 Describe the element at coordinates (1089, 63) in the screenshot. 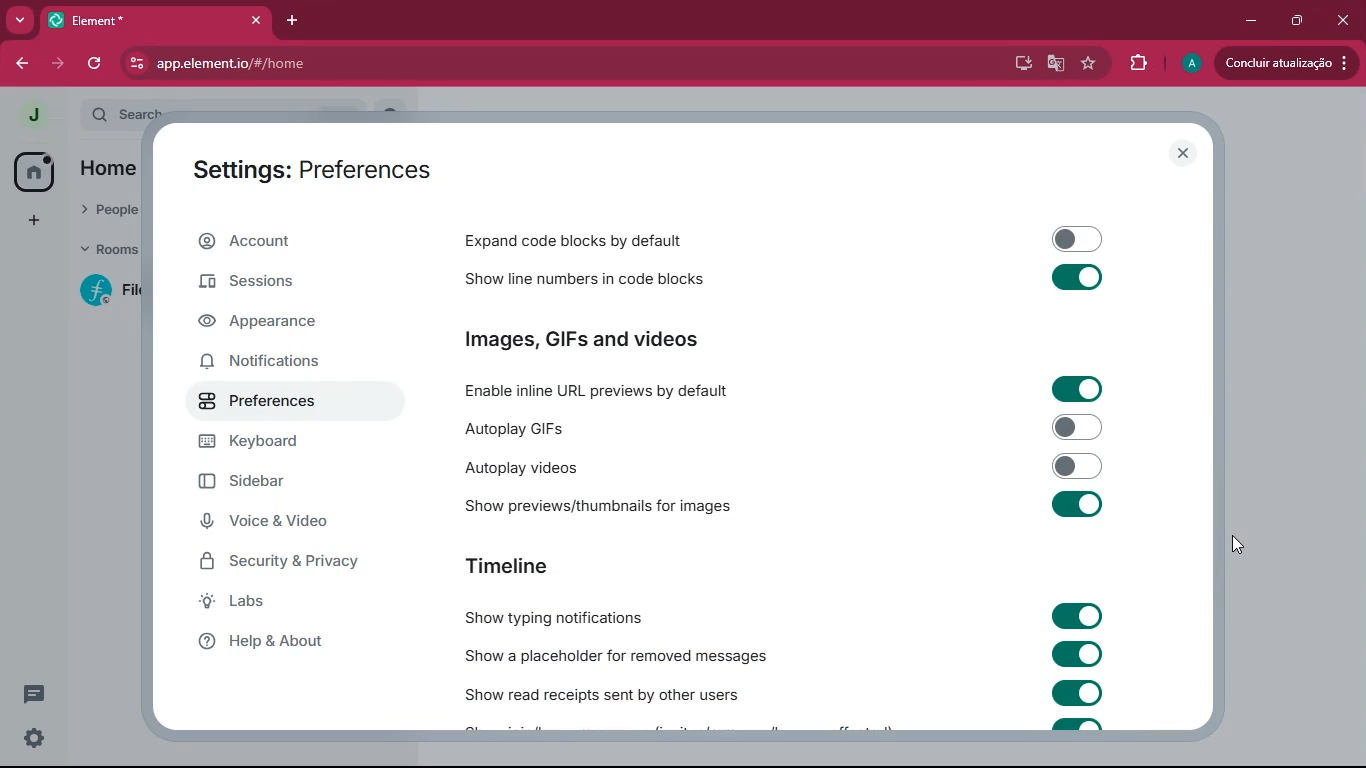

I see `favourite` at that location.